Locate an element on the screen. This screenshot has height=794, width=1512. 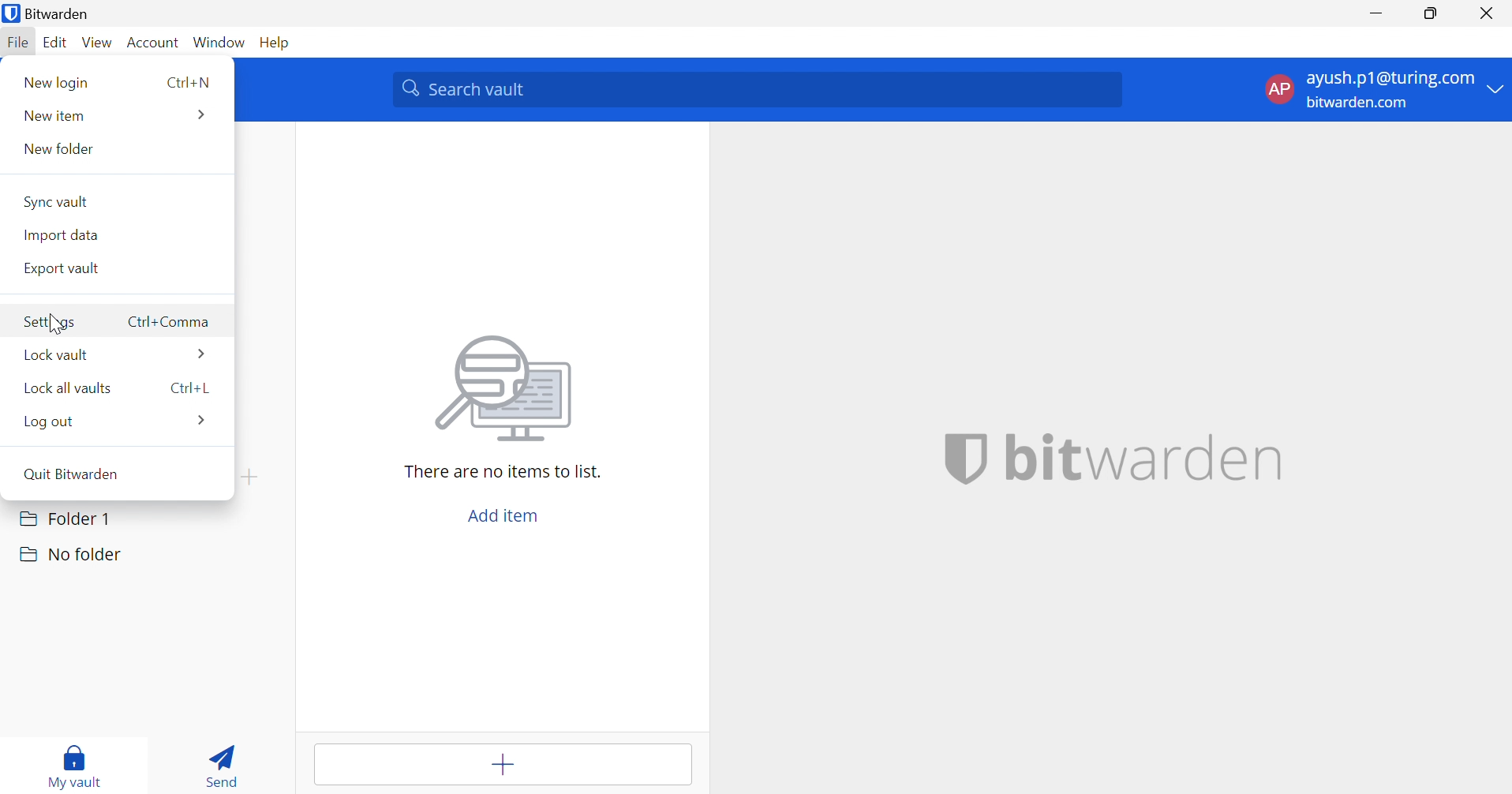
No folder is located at coordinates (69, 555).